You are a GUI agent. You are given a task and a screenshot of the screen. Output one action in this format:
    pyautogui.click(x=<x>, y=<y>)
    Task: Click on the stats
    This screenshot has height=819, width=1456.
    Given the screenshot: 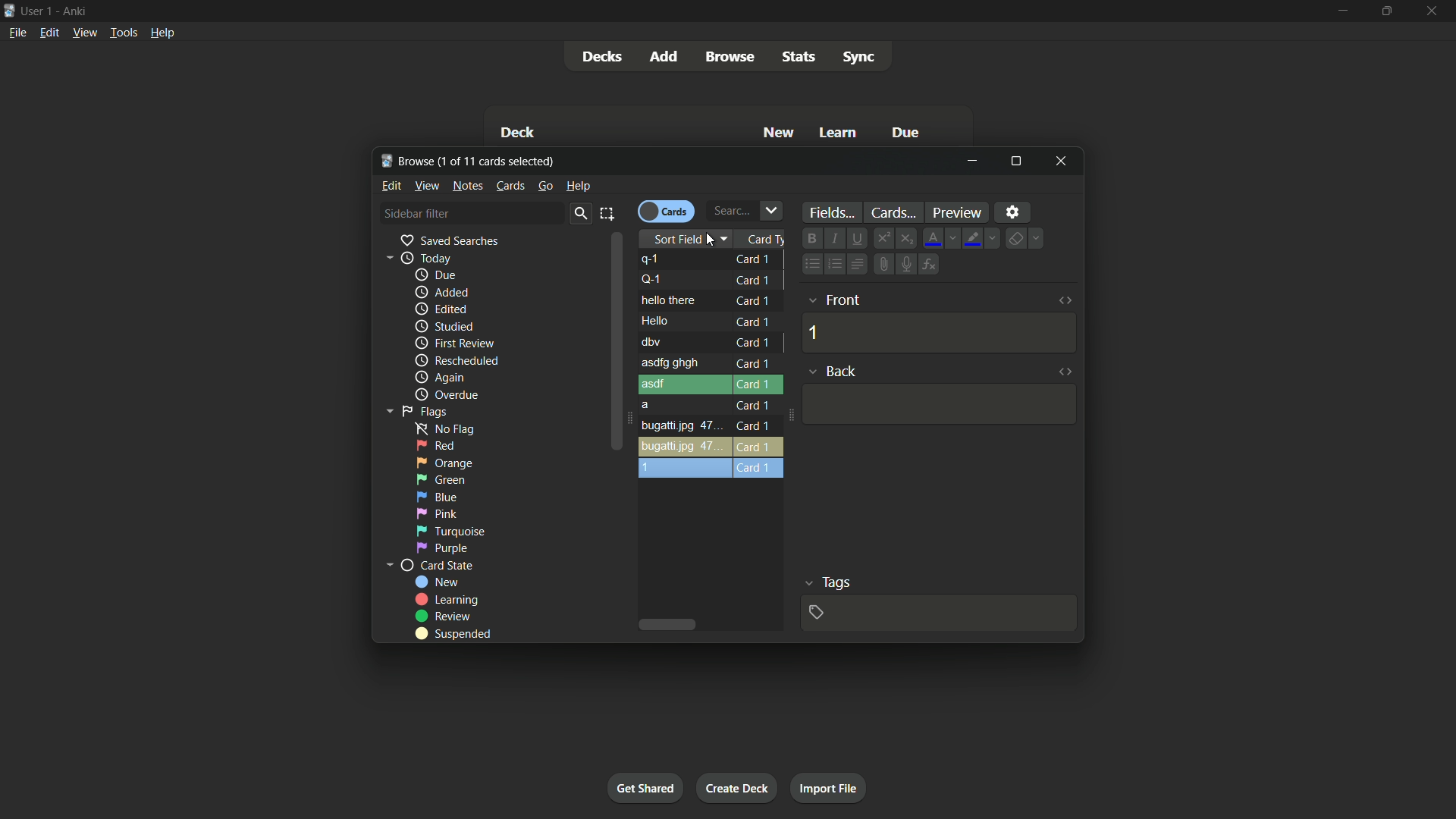 What is the action you would take?
    pyautogui.click(x=799, y=56)
    